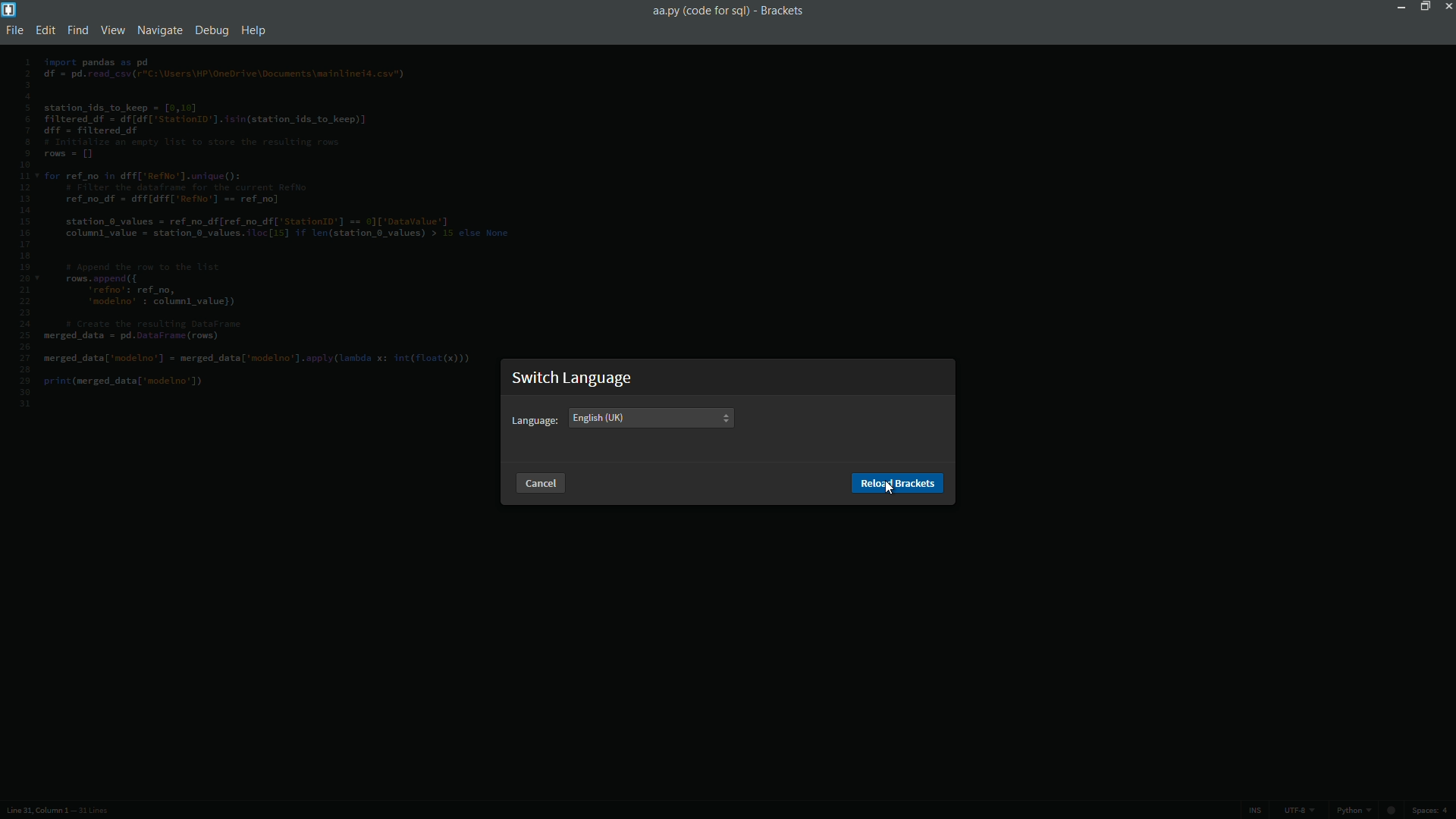  What do you see at coordinates (782, 10) in the screenshot?
I see `app name` at bounding box center [782, 10].